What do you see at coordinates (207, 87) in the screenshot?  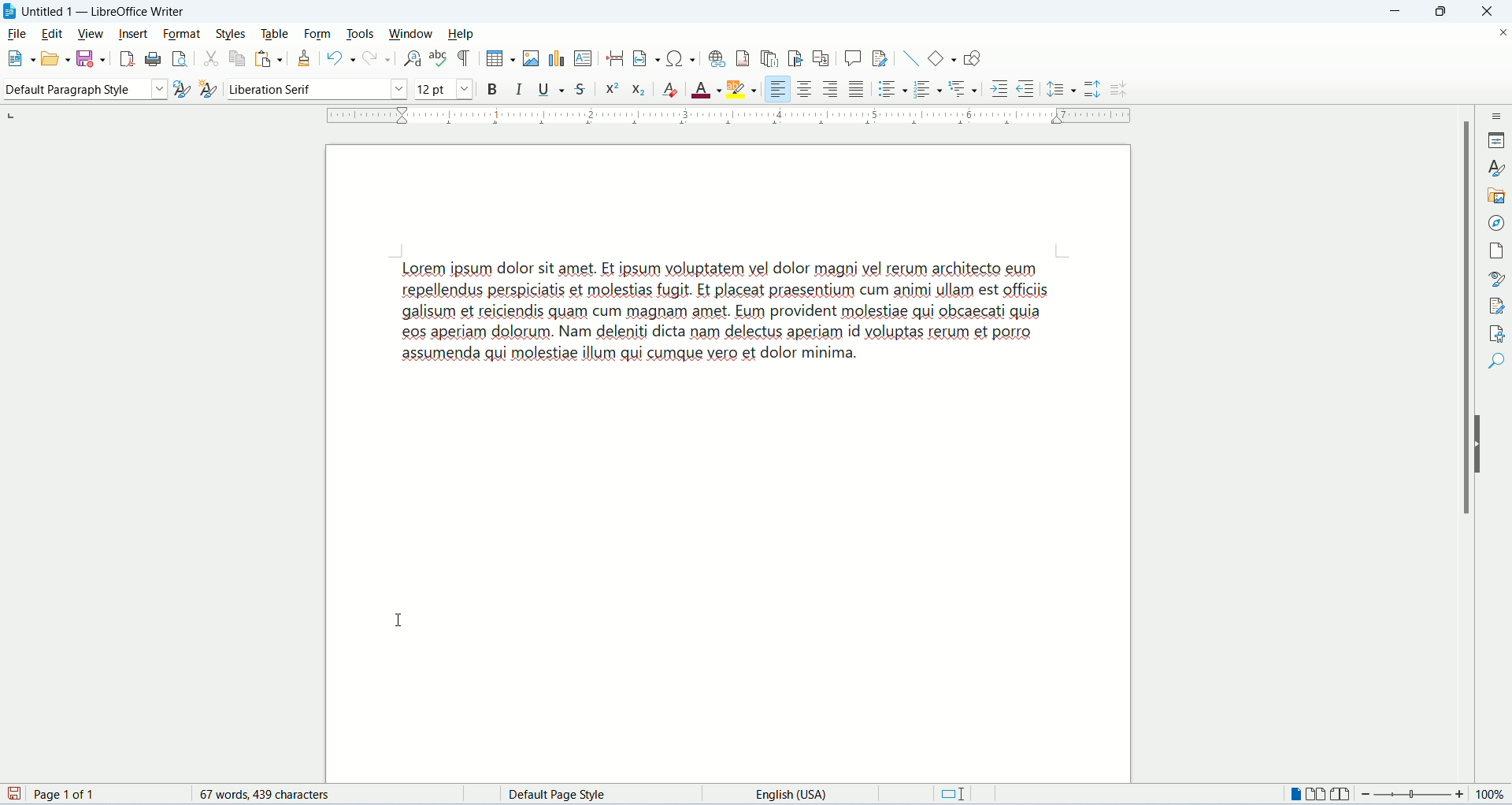 I see `select new style` at bounding box center [207, 87].